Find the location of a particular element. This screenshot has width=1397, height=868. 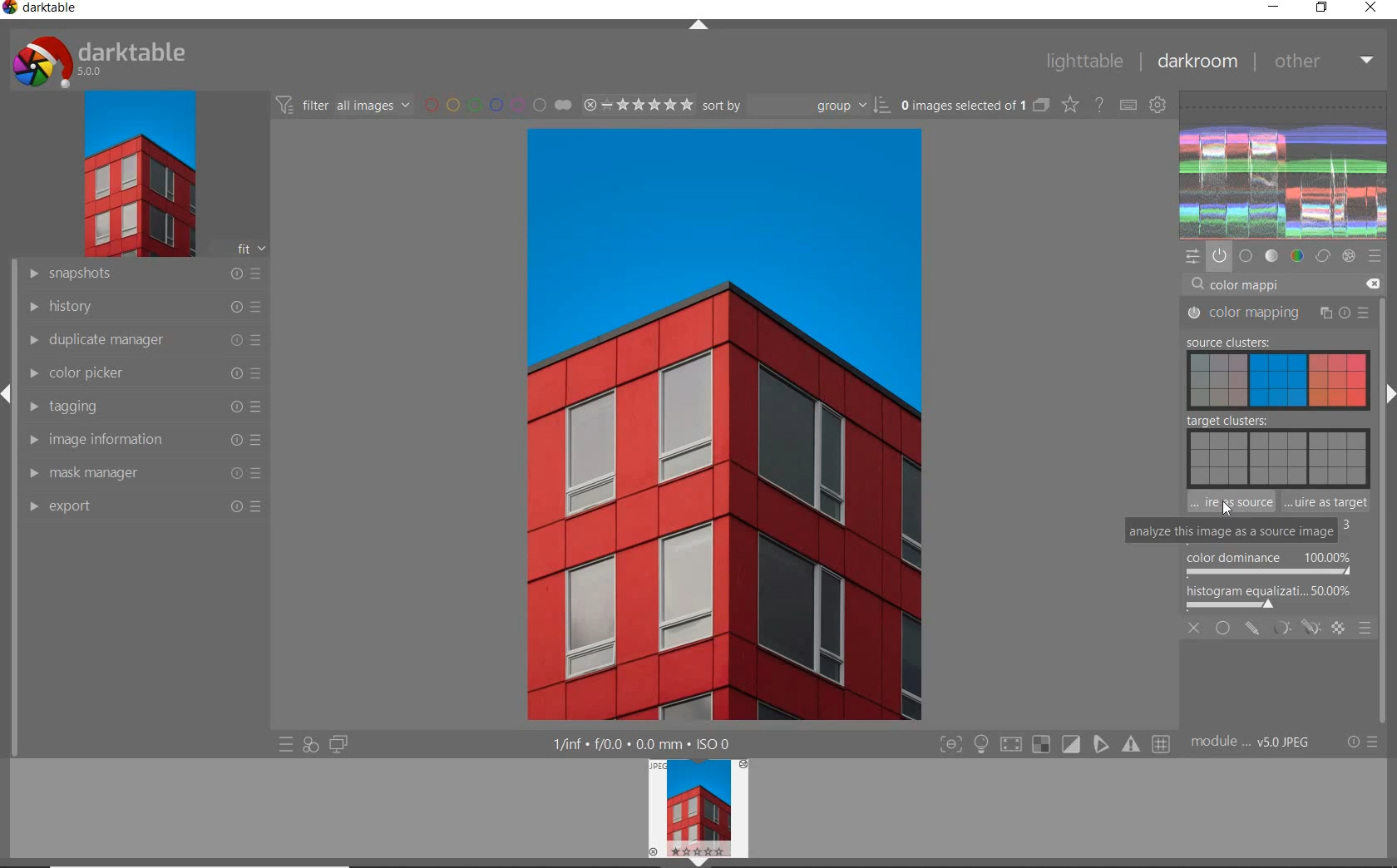

SOURCE CLUSTER is located at coordinates (1278, 379).